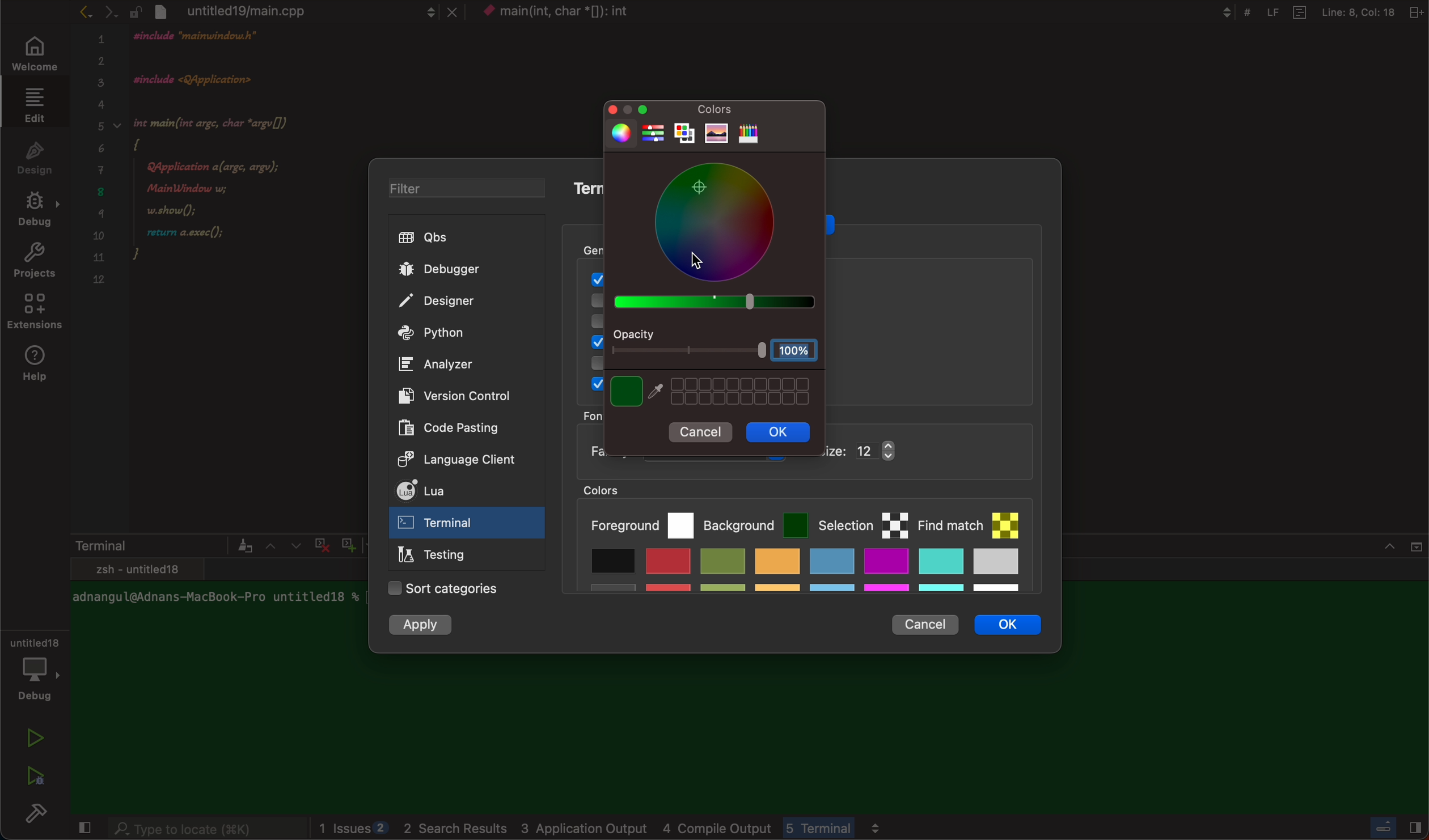  What do you see at coordinates (458, 190) in the screenshot?
I see `filter` at bounding box center [458, 190].